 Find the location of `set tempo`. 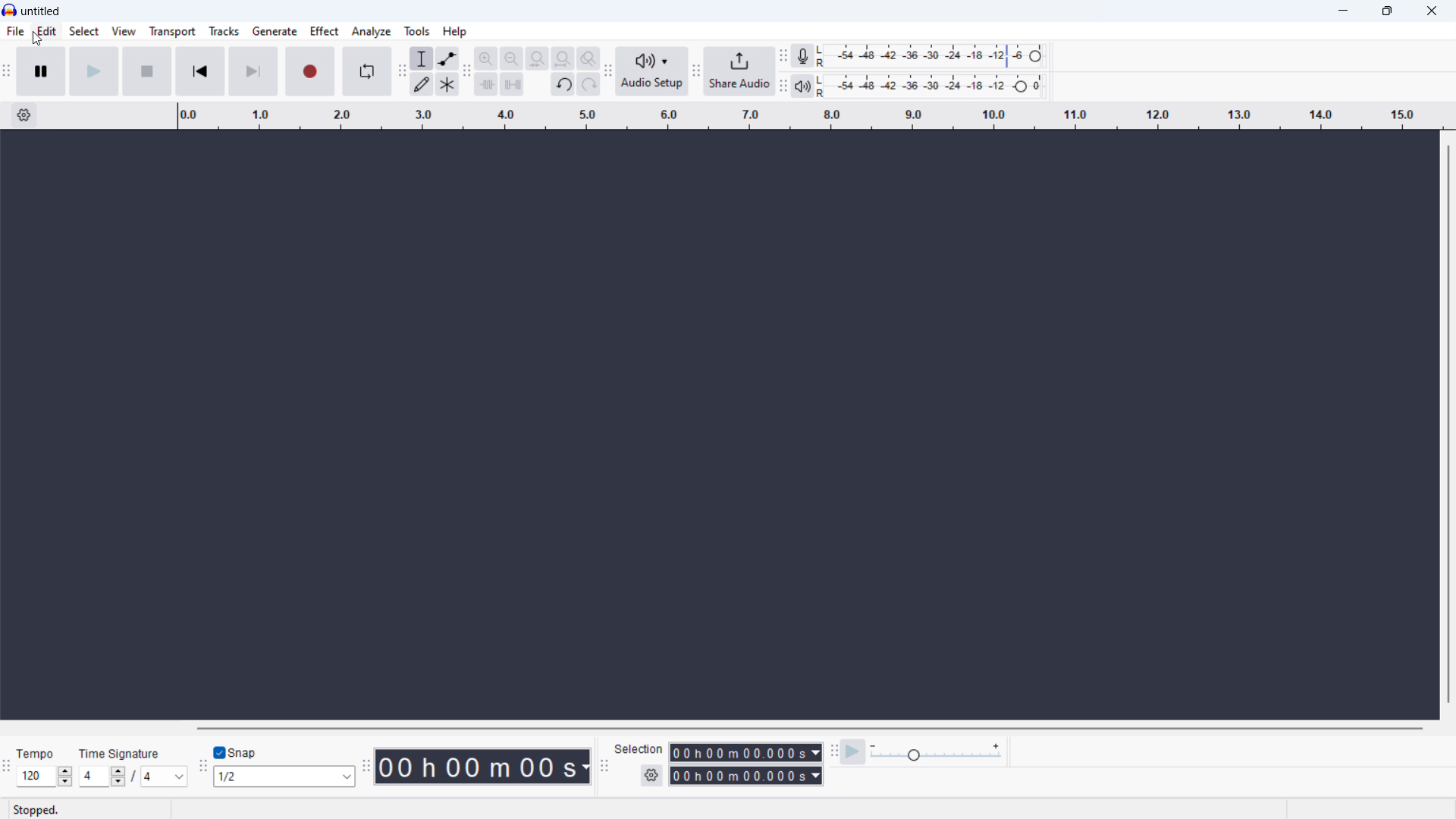

set tempo is located at coordinates (44, 777).